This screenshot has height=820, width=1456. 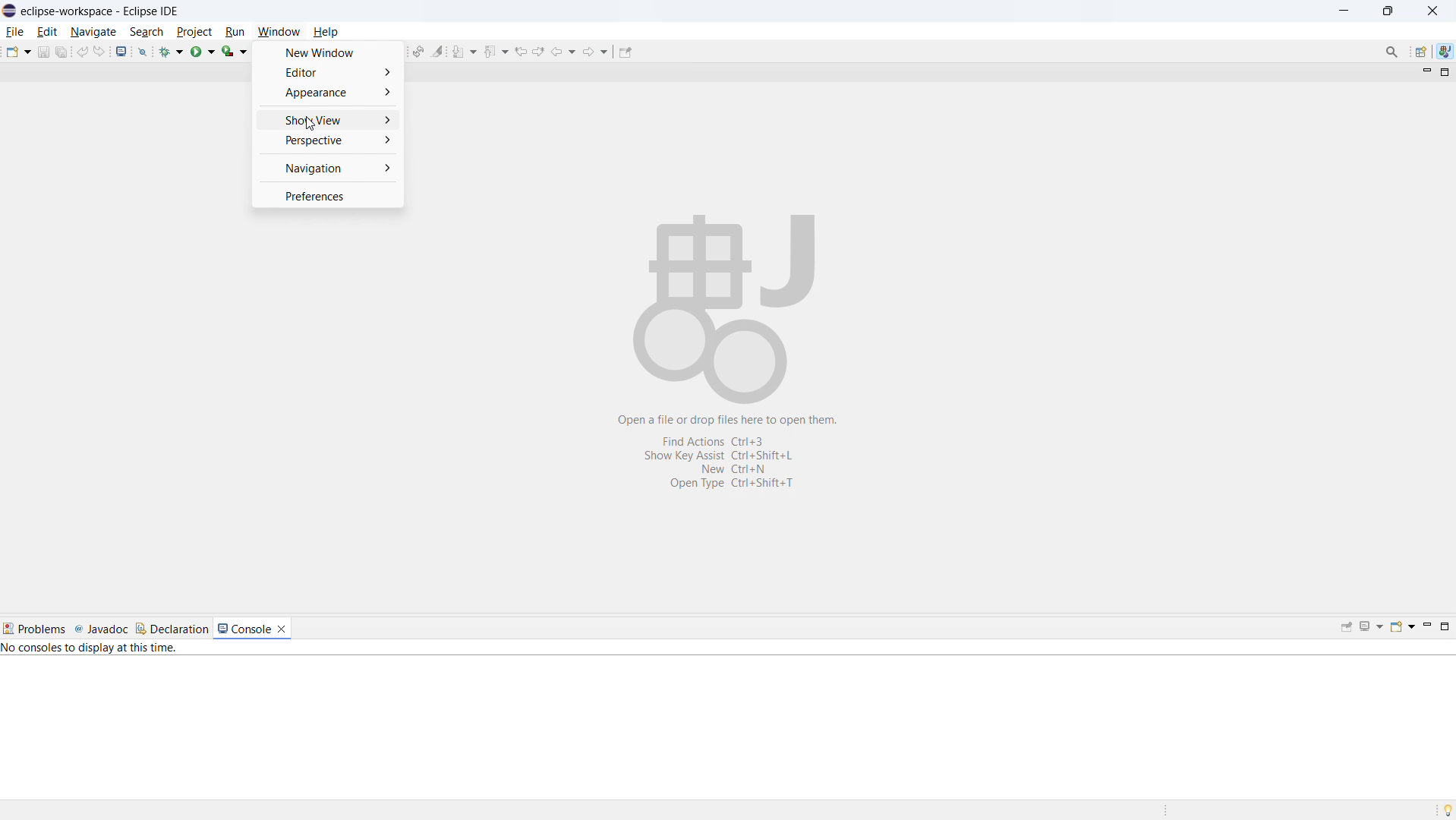 What do you see at coordinates (1371, 627) in the screenshot?
I see `display selected console` at bounding box center [1371, 627].